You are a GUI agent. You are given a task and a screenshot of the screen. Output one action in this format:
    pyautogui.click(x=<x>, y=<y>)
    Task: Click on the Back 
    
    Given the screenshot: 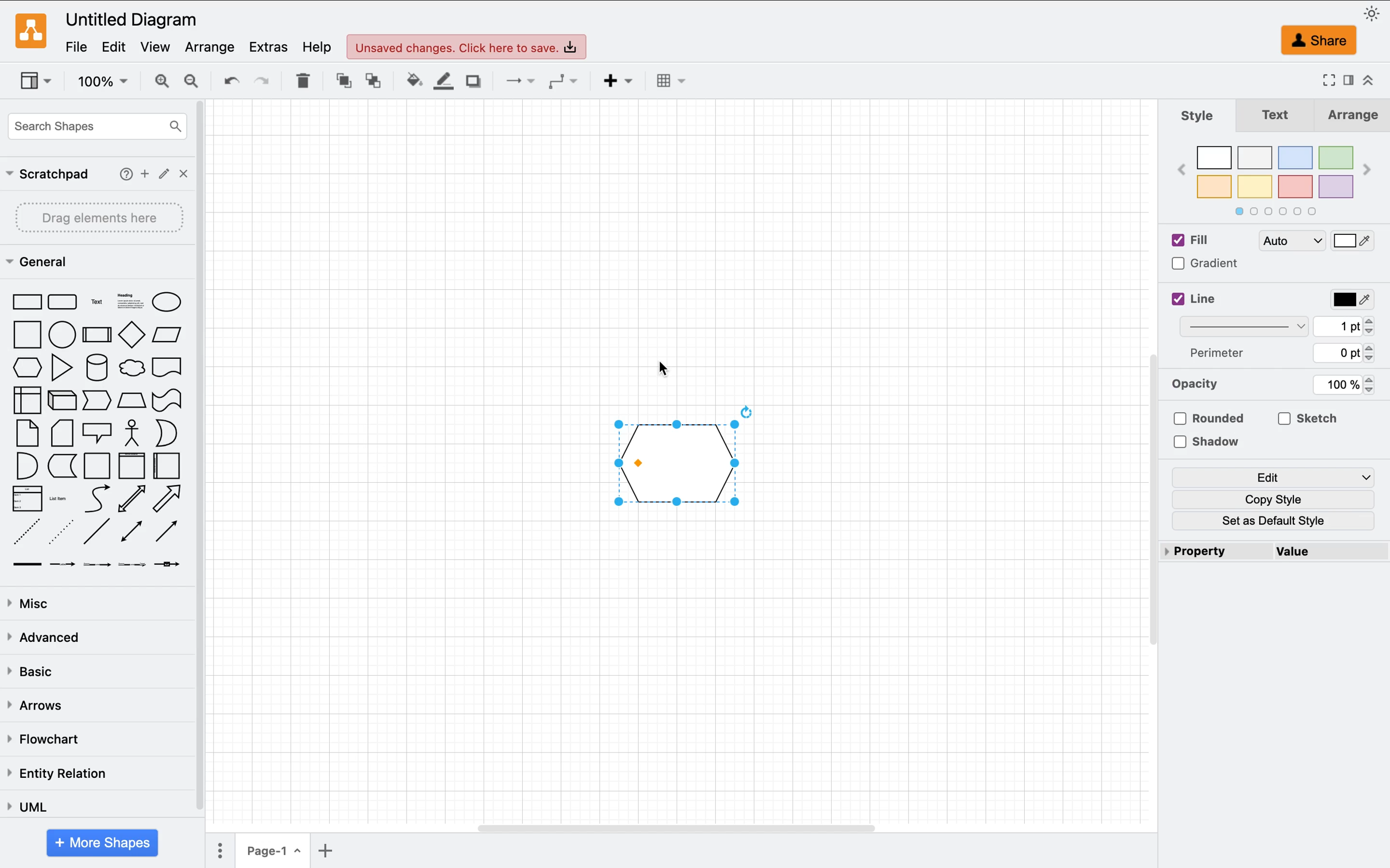 What is the action you would take?
    pyautogui.click(x=1180, y=175)
    